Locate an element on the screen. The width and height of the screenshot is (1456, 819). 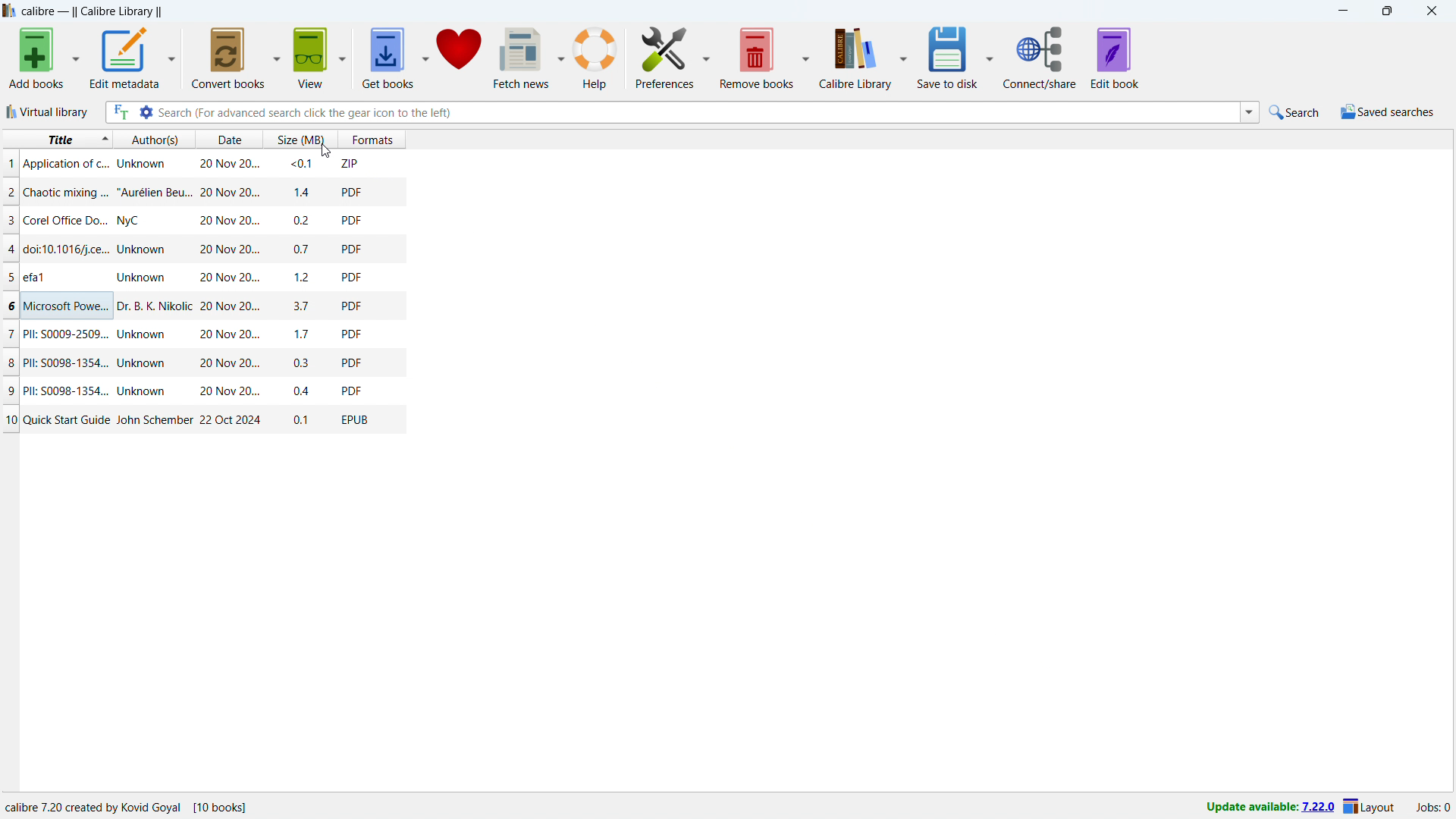
2 is located at coordinates (9, 191).